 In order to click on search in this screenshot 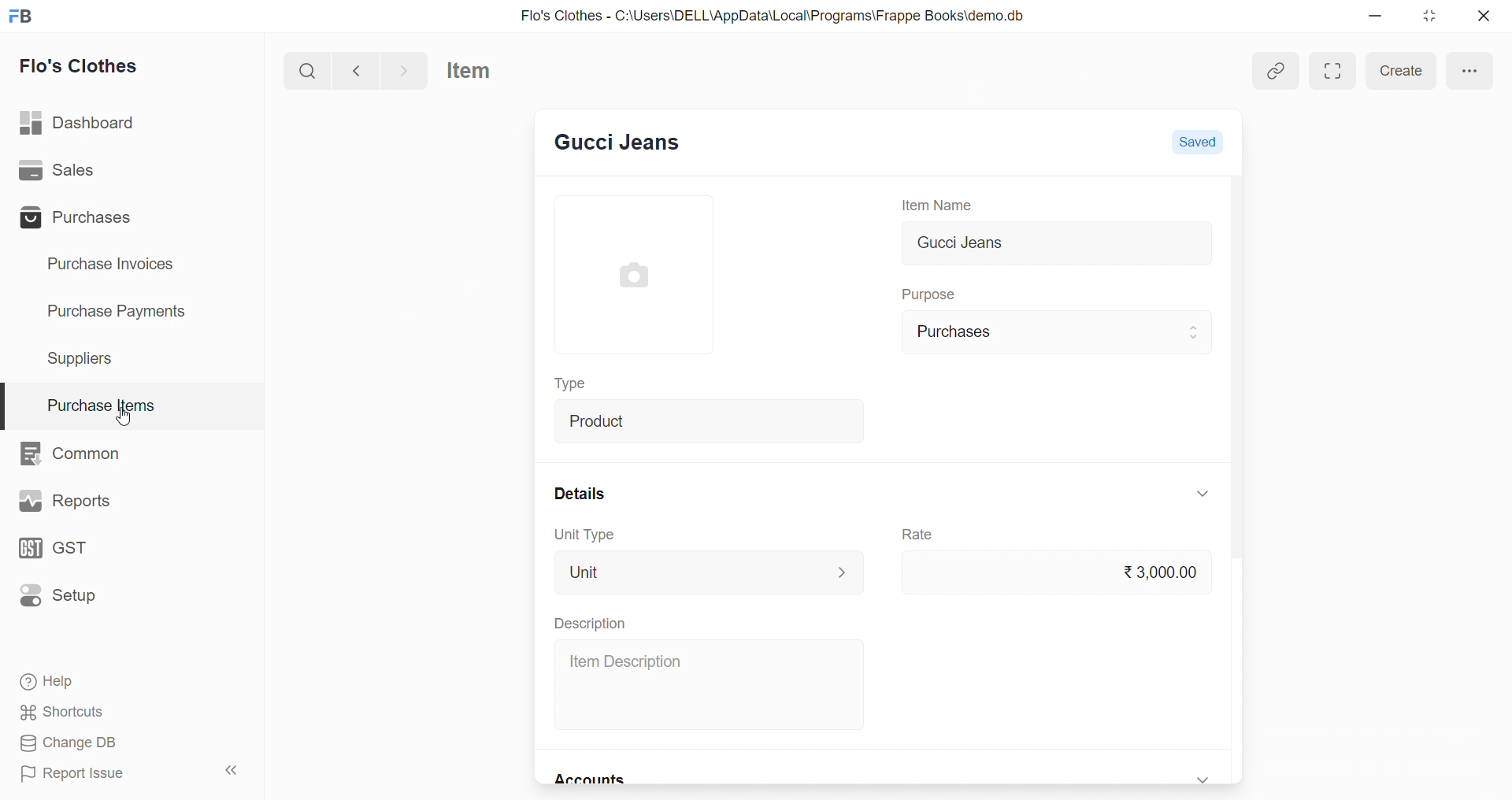, I will do `click(306, 69)`.